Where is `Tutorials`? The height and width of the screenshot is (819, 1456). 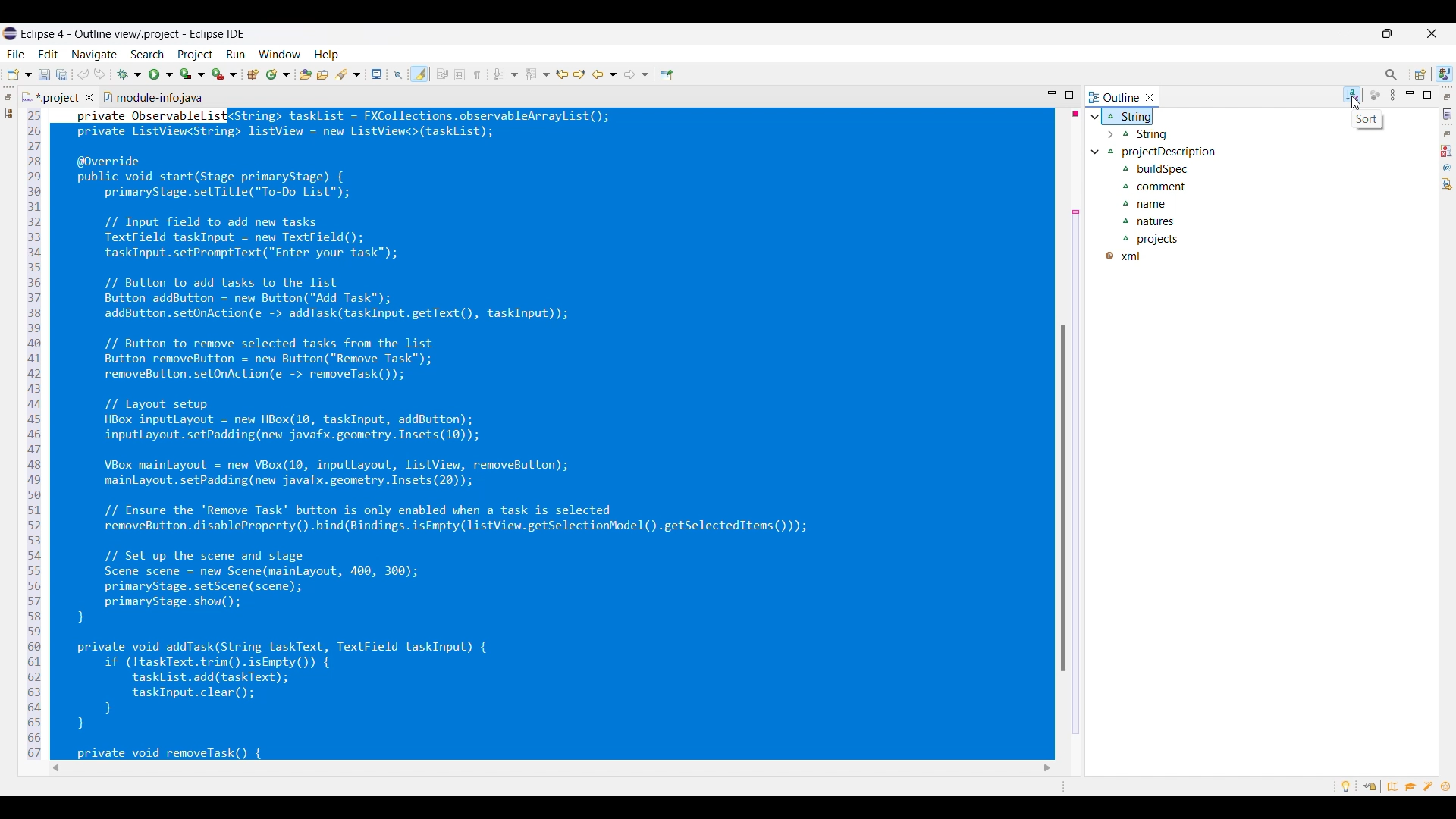 Tutorials is located at coordinates (1410, 786).